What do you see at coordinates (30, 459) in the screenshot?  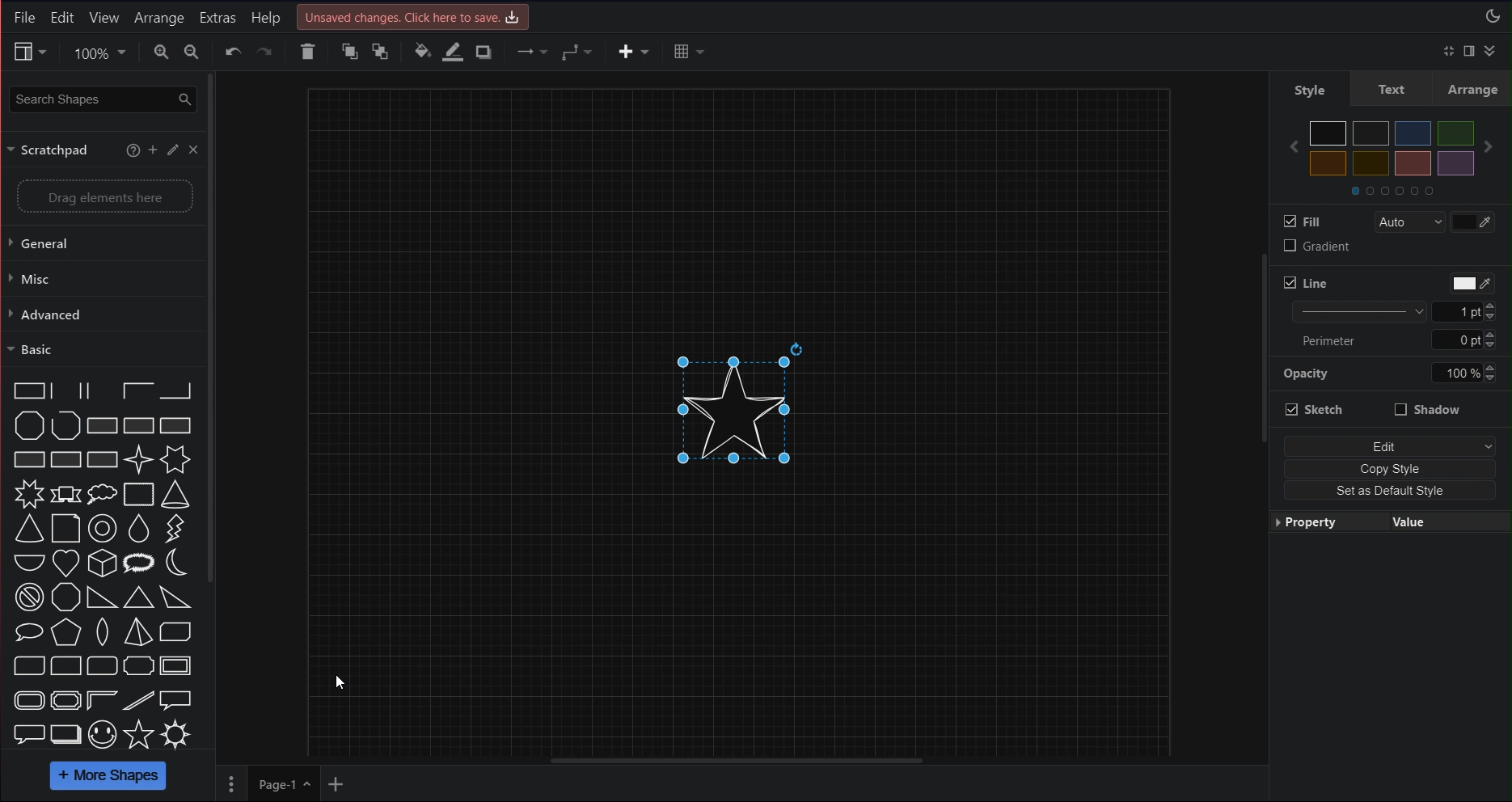 I see `rectangle with horizontal fill` at bounding box center [30, 459].